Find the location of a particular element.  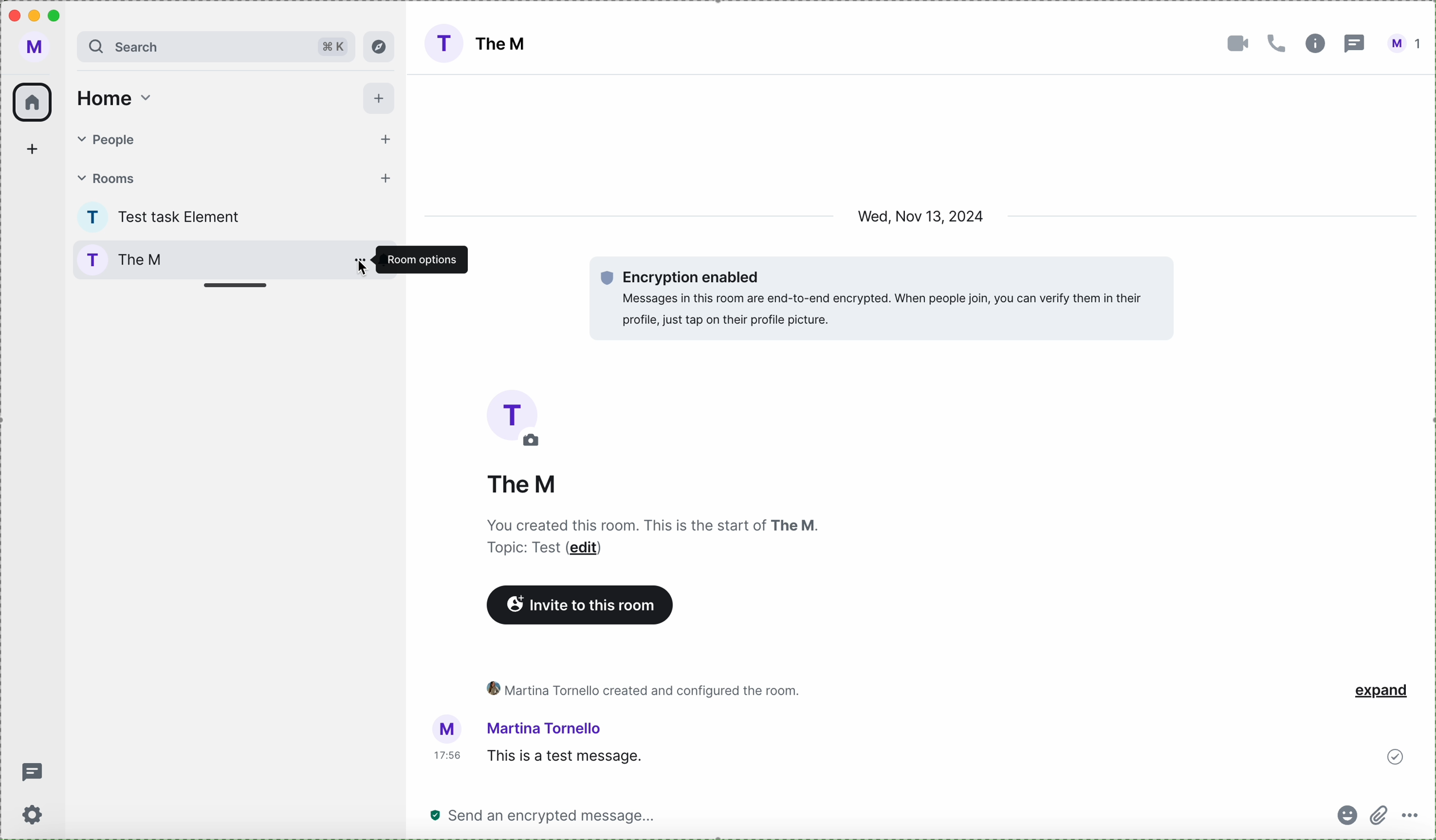

profile is located at coordinates (34, 46).